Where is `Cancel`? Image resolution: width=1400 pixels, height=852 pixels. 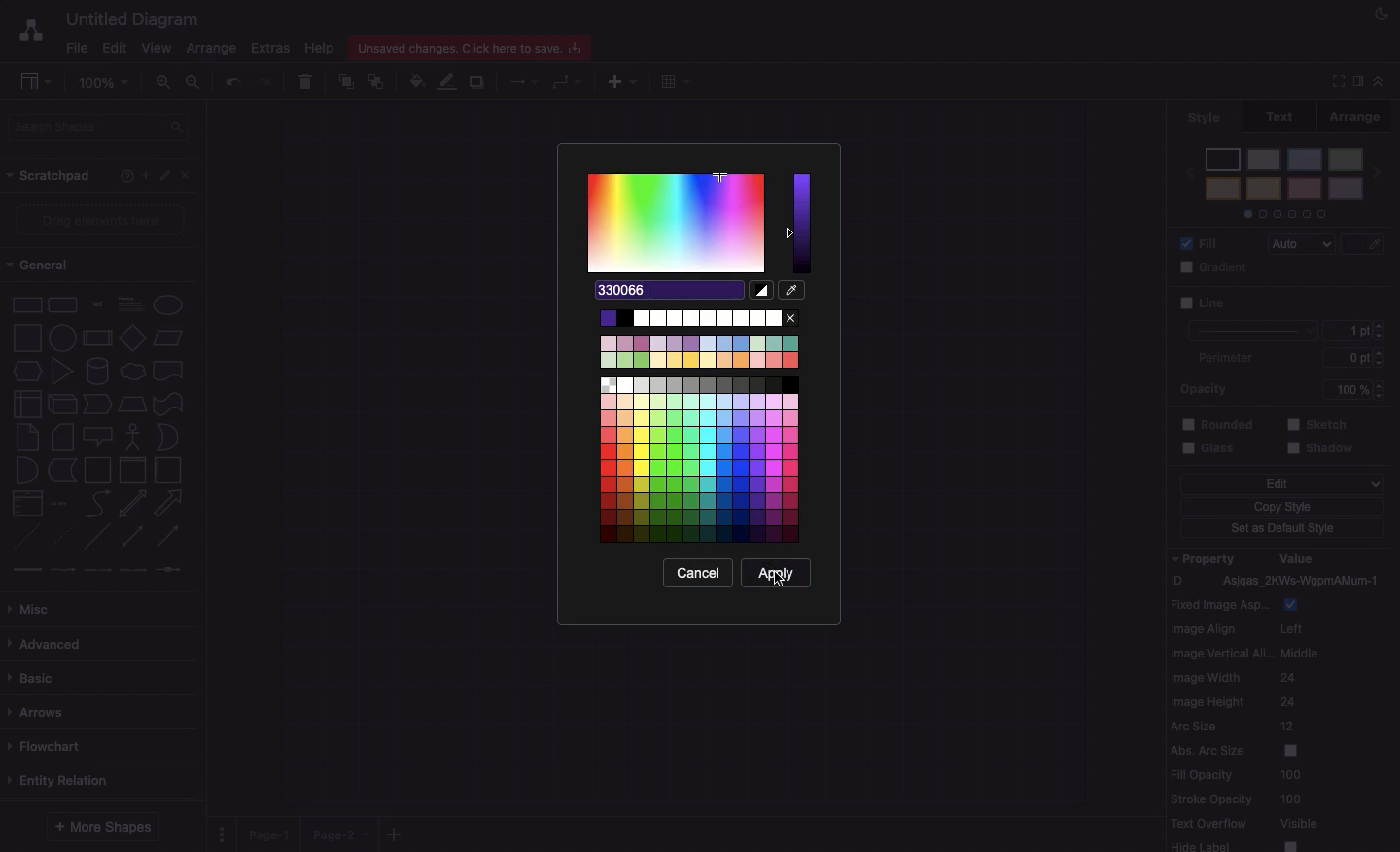
Cancel is located at coordinates (699, 572).